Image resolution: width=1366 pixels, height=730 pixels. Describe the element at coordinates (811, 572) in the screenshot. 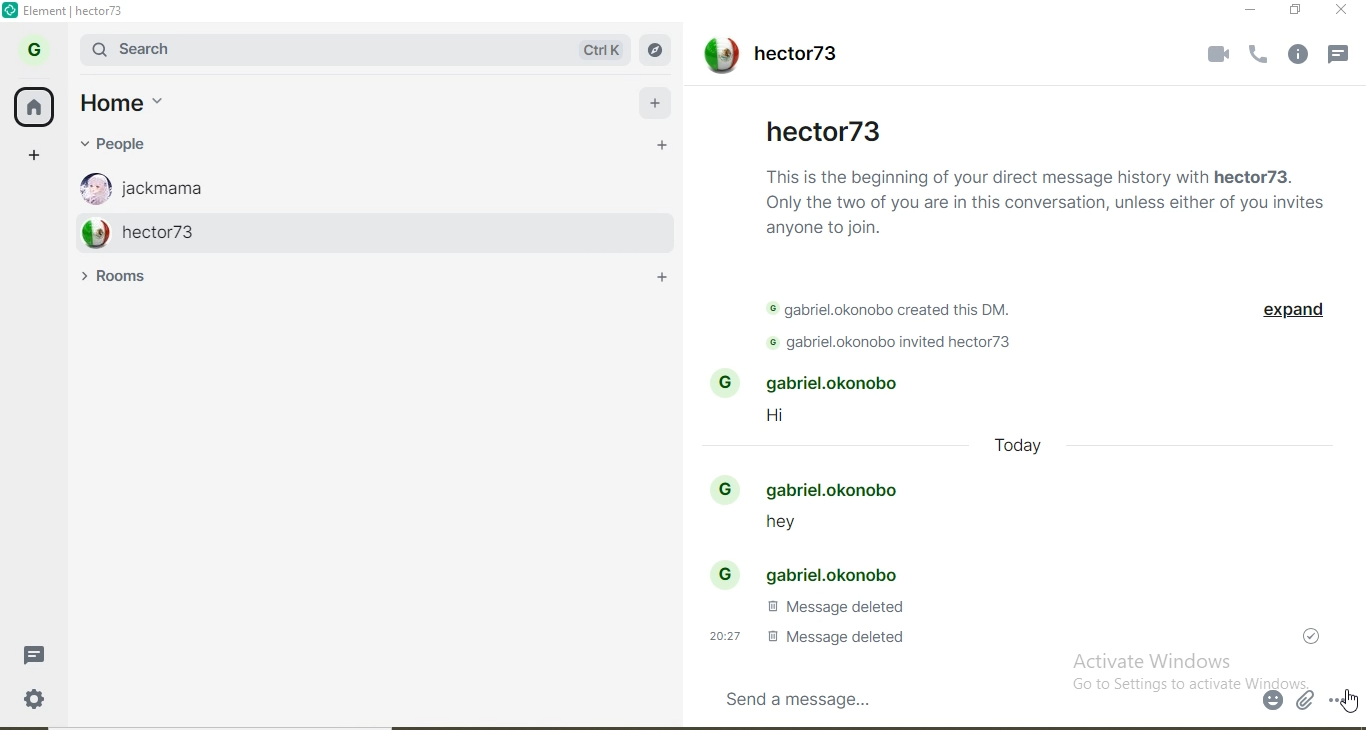

I see `gabriel.okonobo` at that location.